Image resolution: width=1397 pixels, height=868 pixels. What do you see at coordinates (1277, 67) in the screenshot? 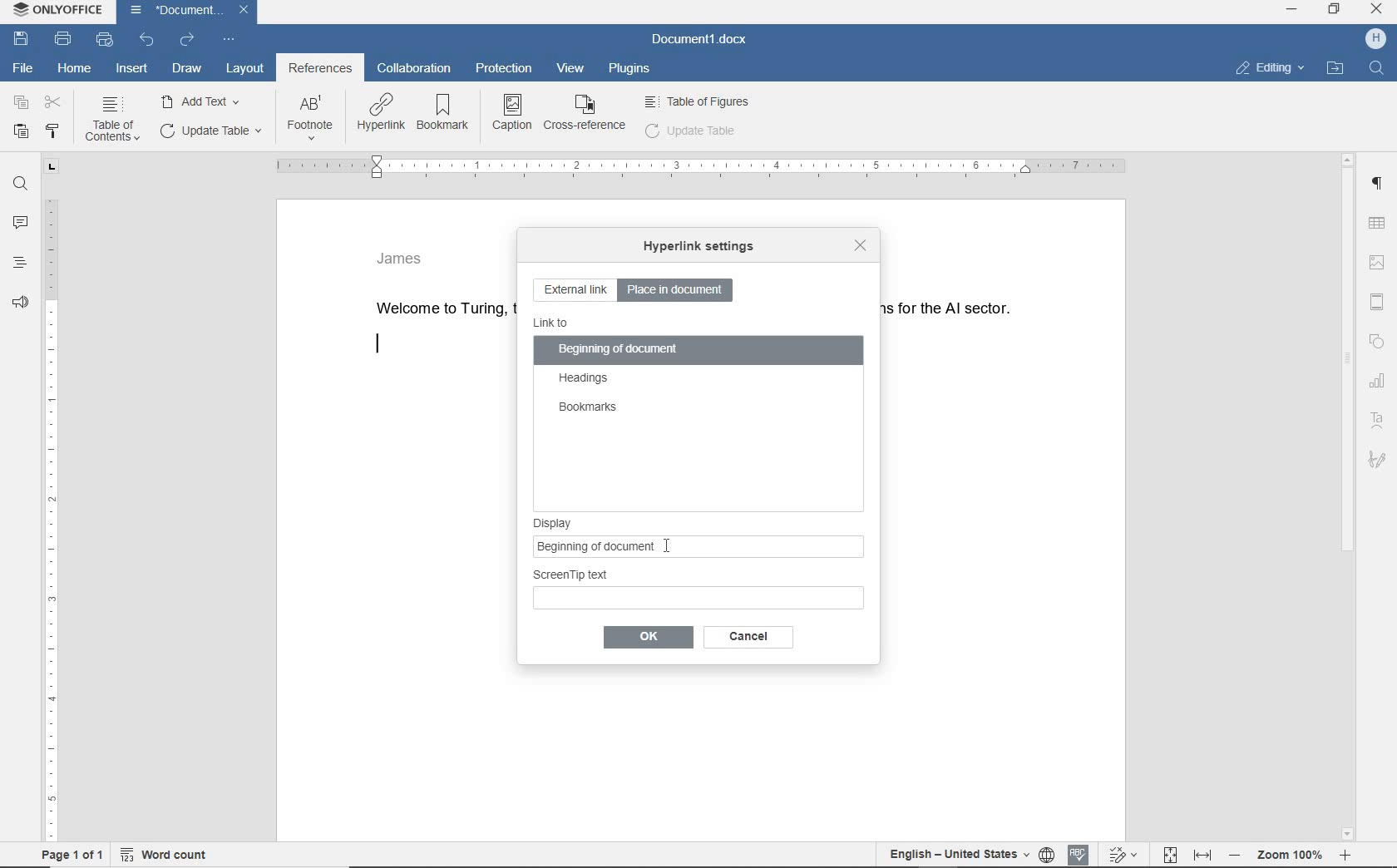
I see `Editing` at bounding box center [1277, 67].